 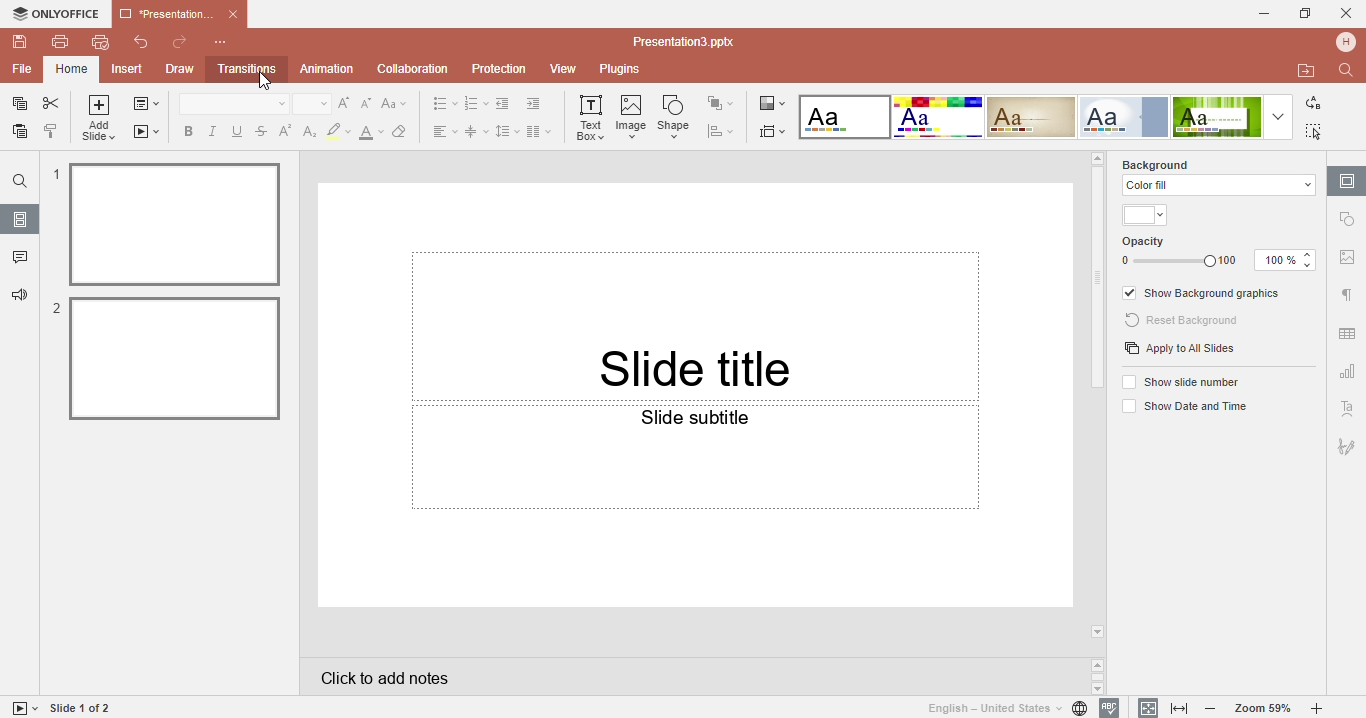 What do you see at coordinates (1220, 253) in the screenshot?
I see `Opacity` at bounding box center [1220, 253].